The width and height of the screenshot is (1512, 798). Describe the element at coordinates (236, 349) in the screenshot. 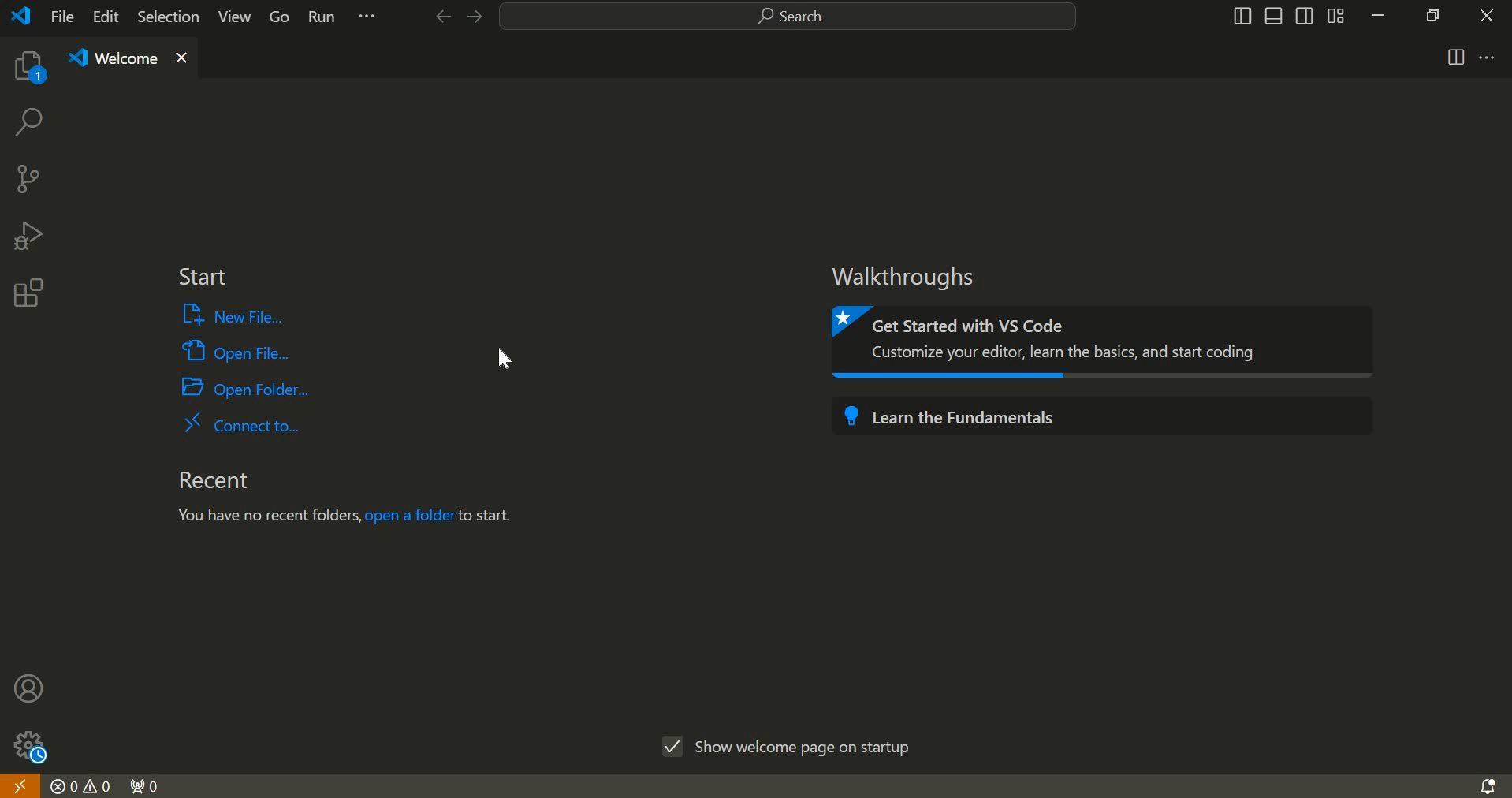

I see `open file` at that location.